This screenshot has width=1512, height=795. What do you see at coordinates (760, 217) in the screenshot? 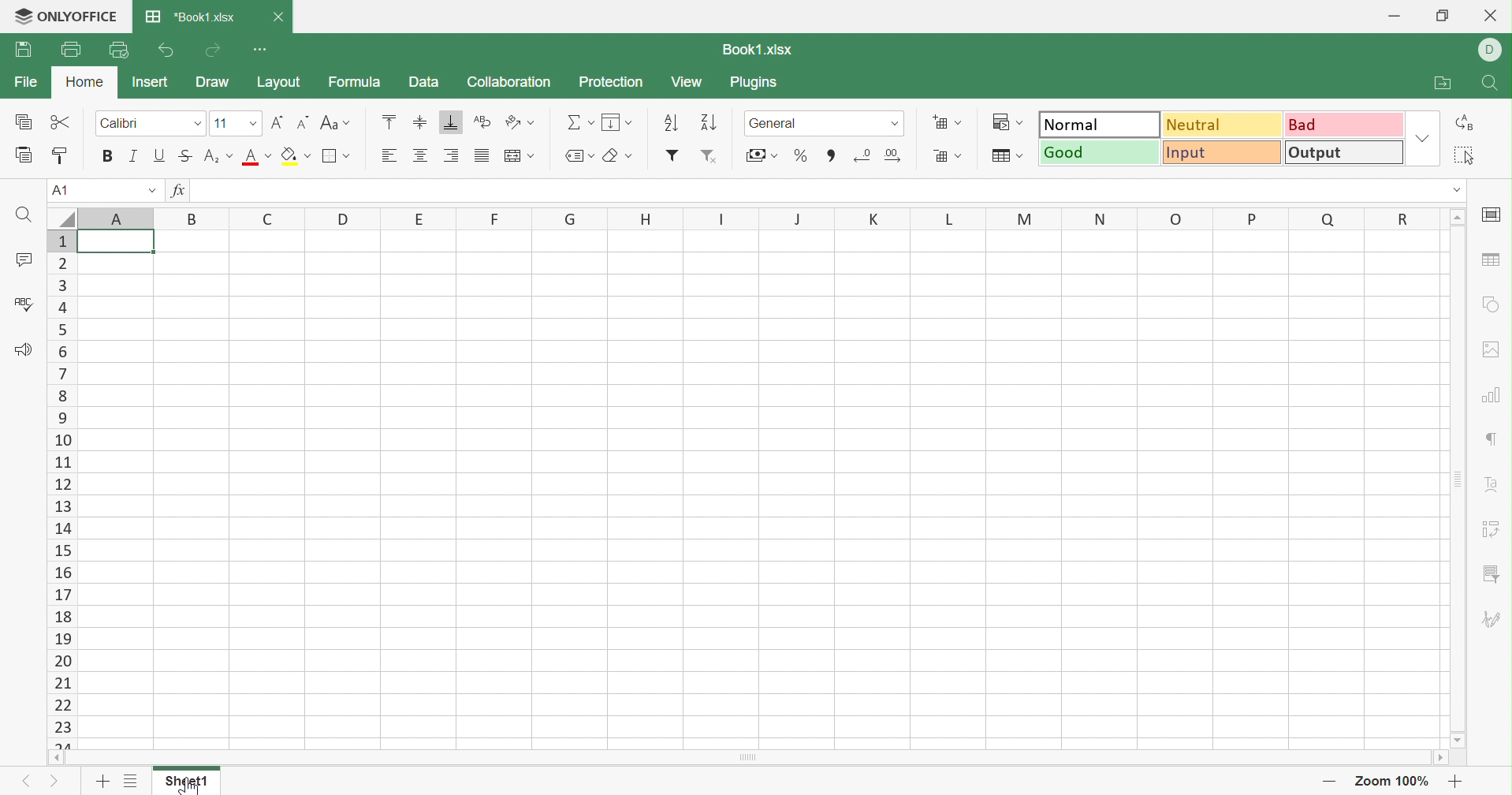
I see `Column Names` at bounding box center [760, 217].